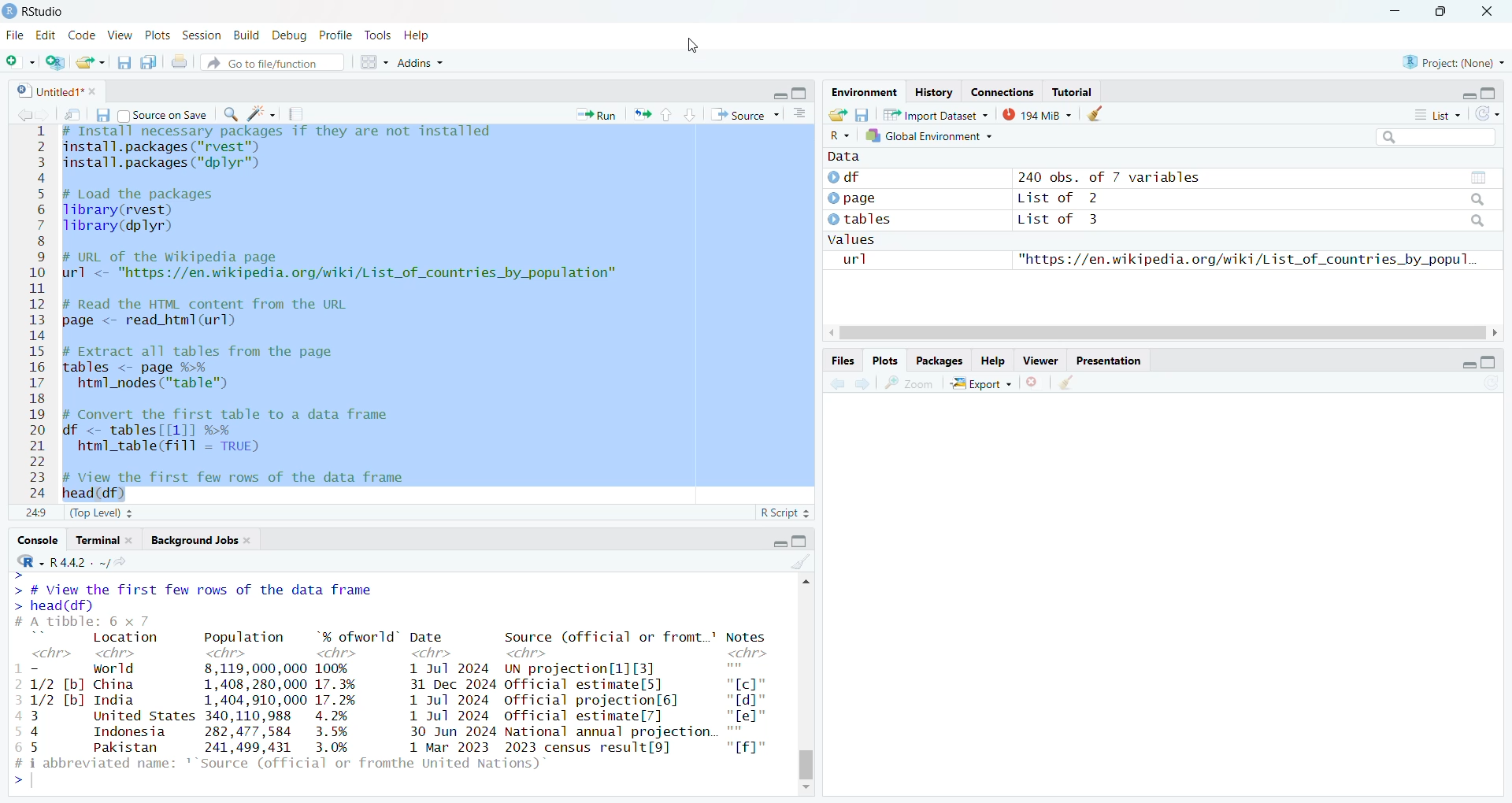 Image resolution: width=1512 pixels, height=803 pixels. What do you see at coordinates (20, 61) in the screenshot?
I see `new file` at bounding box center [20, 61].